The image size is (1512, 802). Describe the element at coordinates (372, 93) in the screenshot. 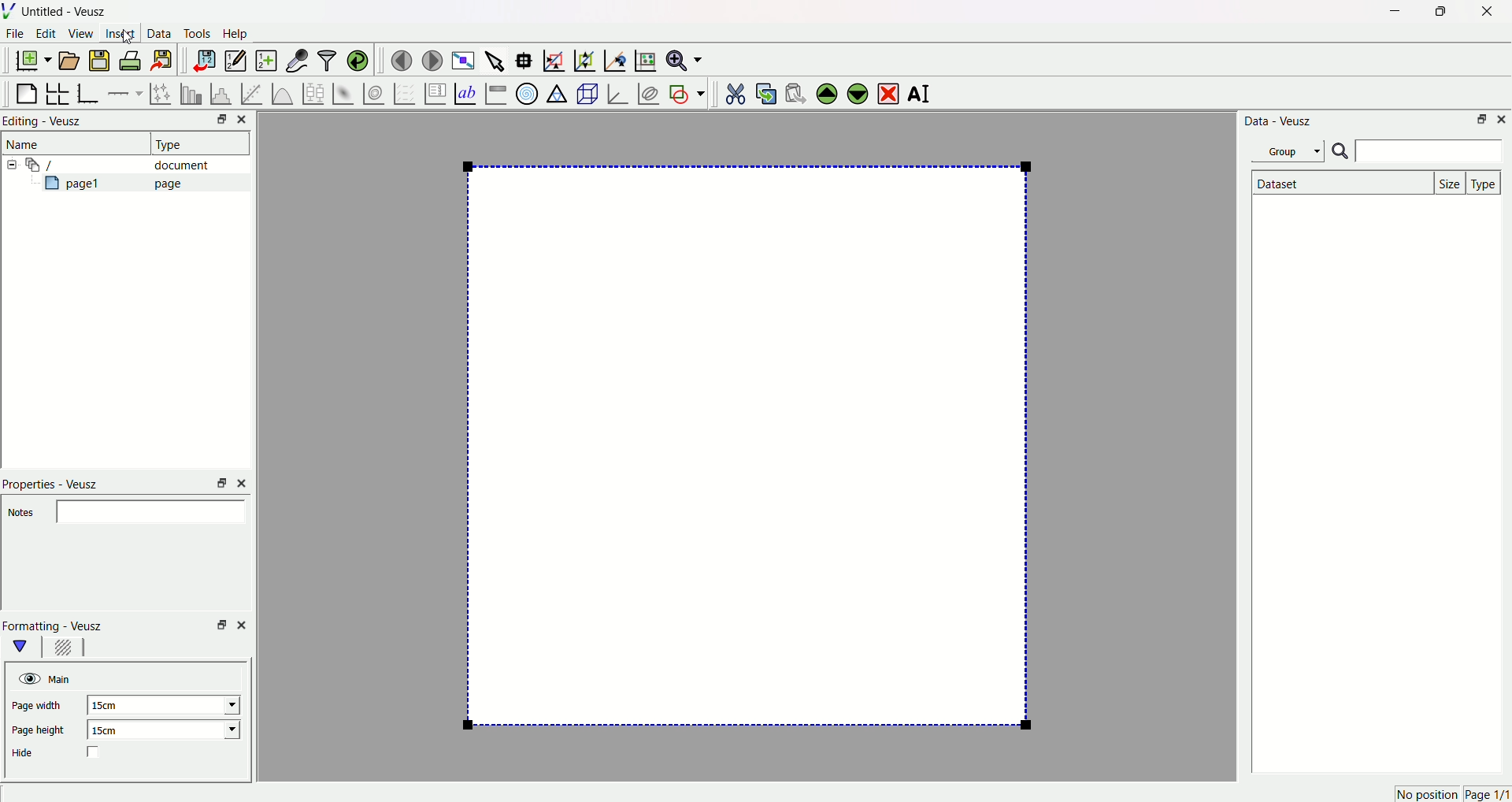

I see `plot 2d datasets as contours` at that location.